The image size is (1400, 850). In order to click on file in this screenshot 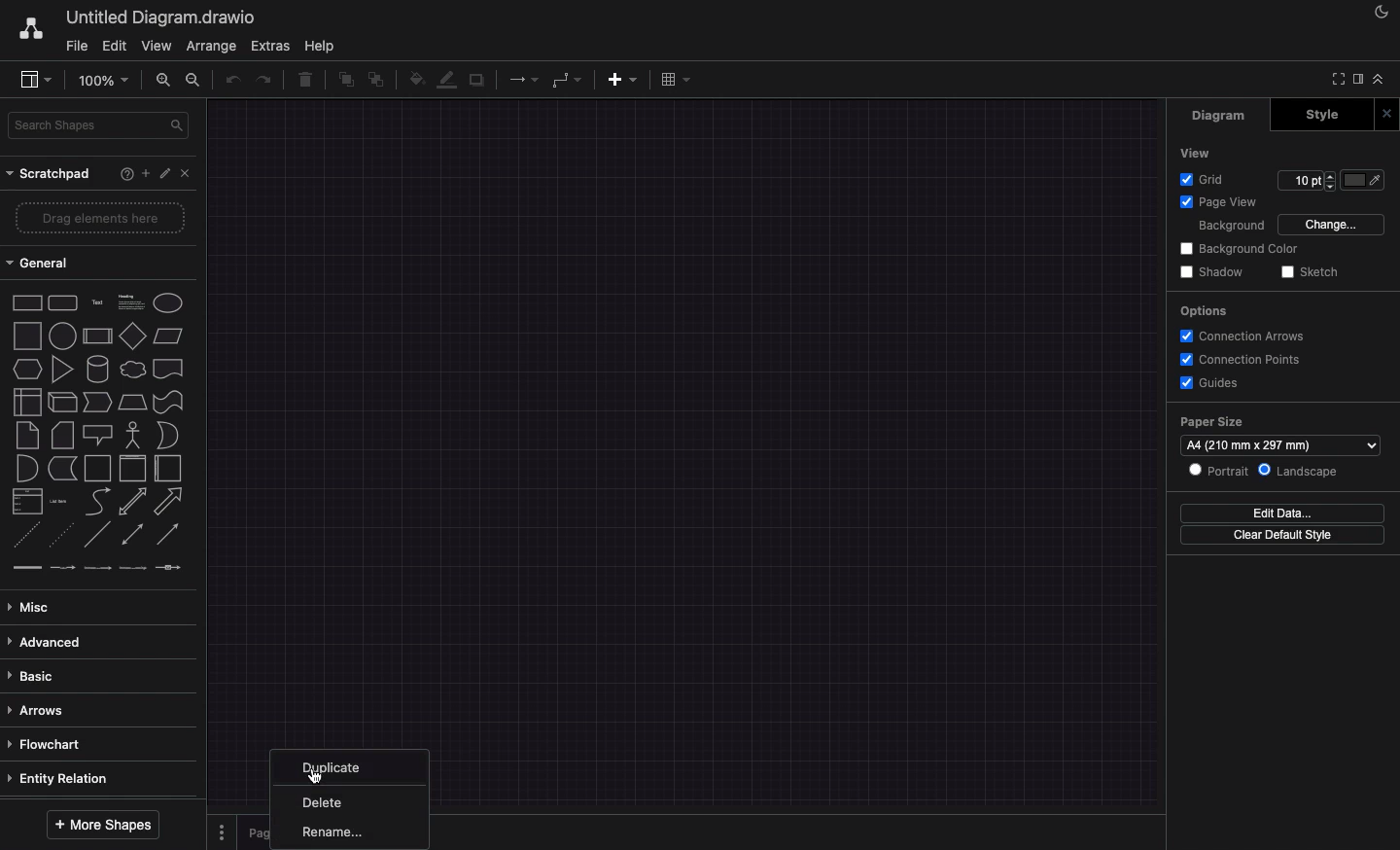, I will do `click(78, 48)`.